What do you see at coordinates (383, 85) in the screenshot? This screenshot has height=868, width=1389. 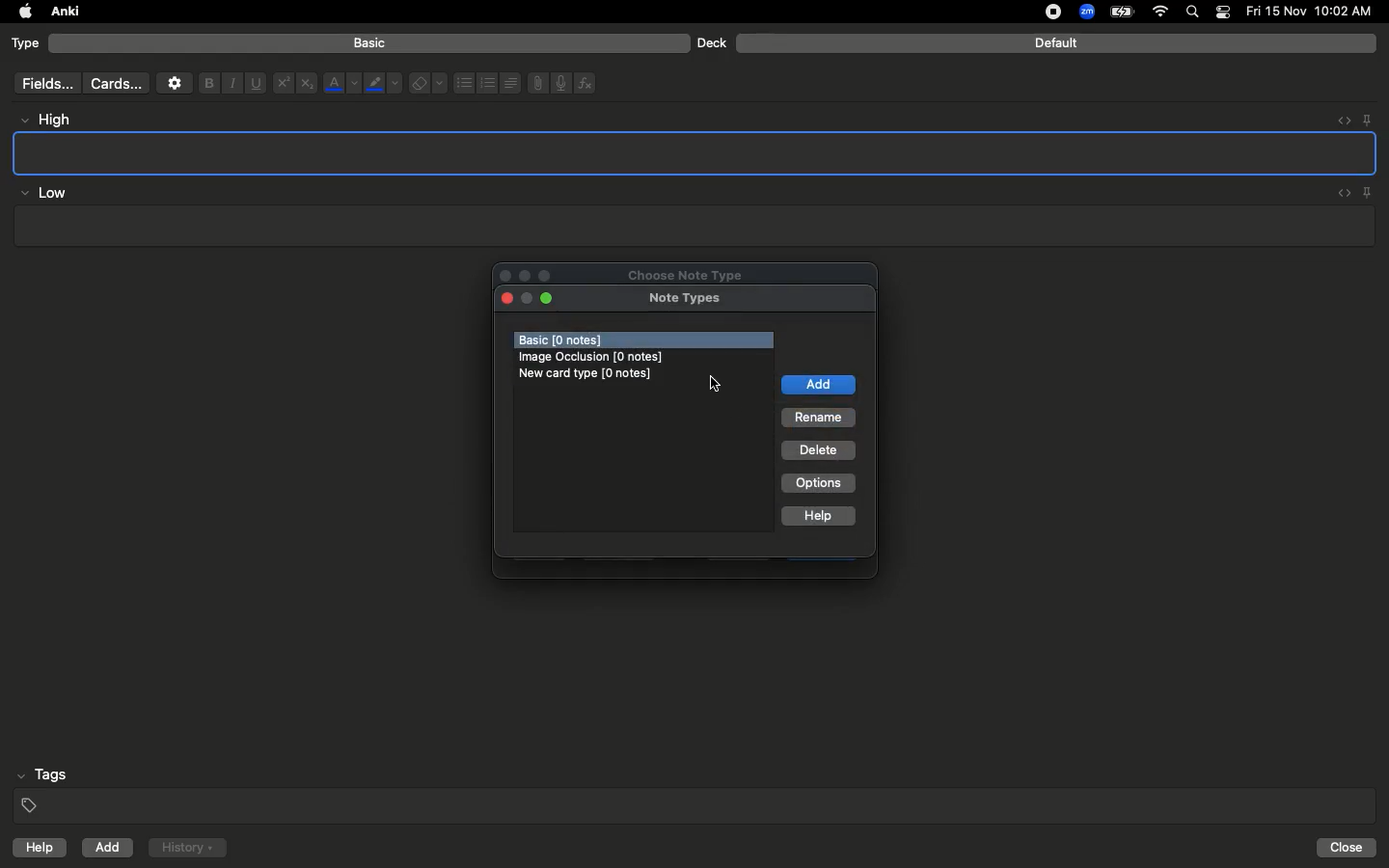 I see `Marker` at bounding box center [383, 85].